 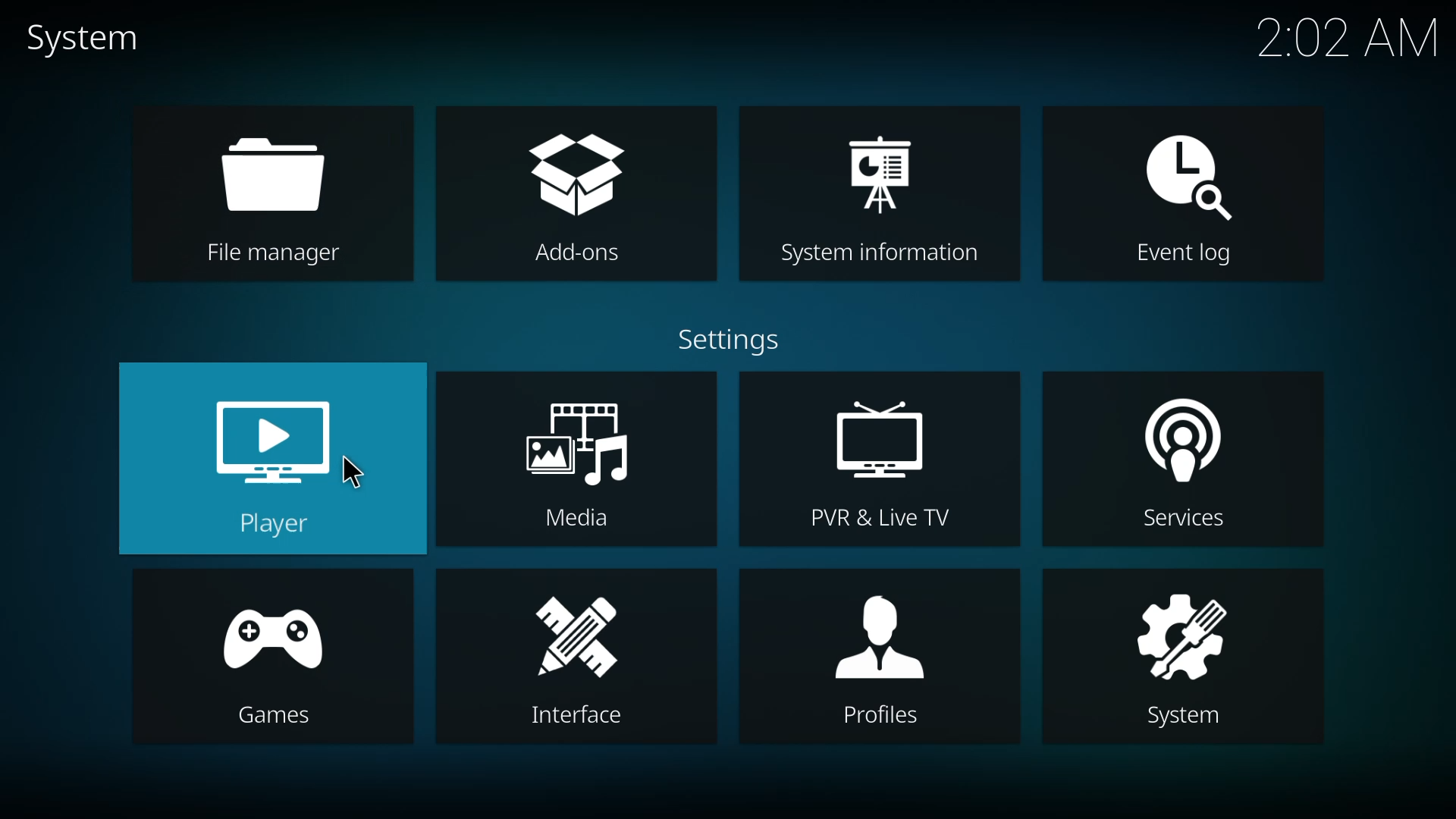 What do you see at coordinates (573, 460) in the screenshot?
I see `media` at bounding box center [573, 460].